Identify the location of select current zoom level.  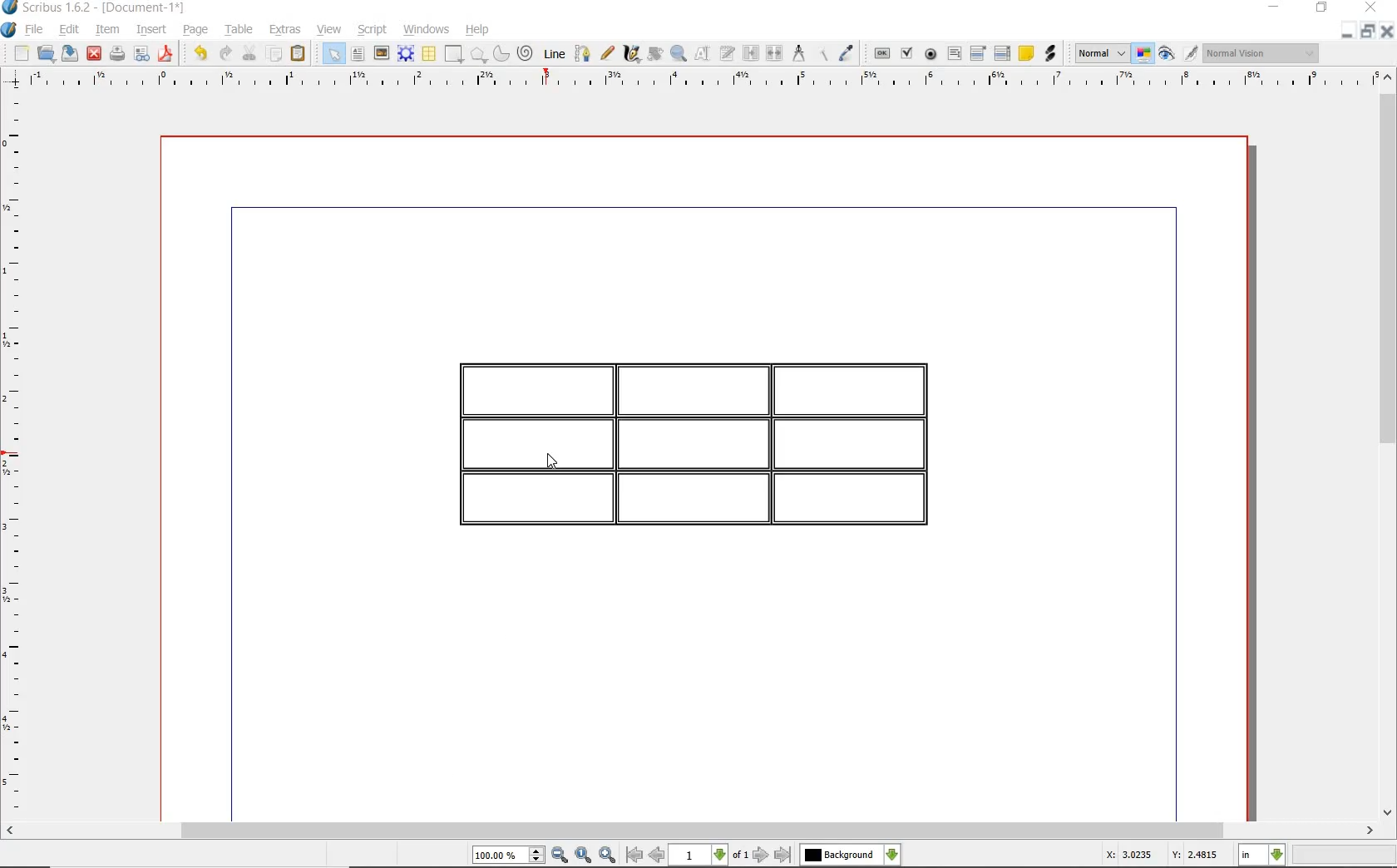
(509, 856).